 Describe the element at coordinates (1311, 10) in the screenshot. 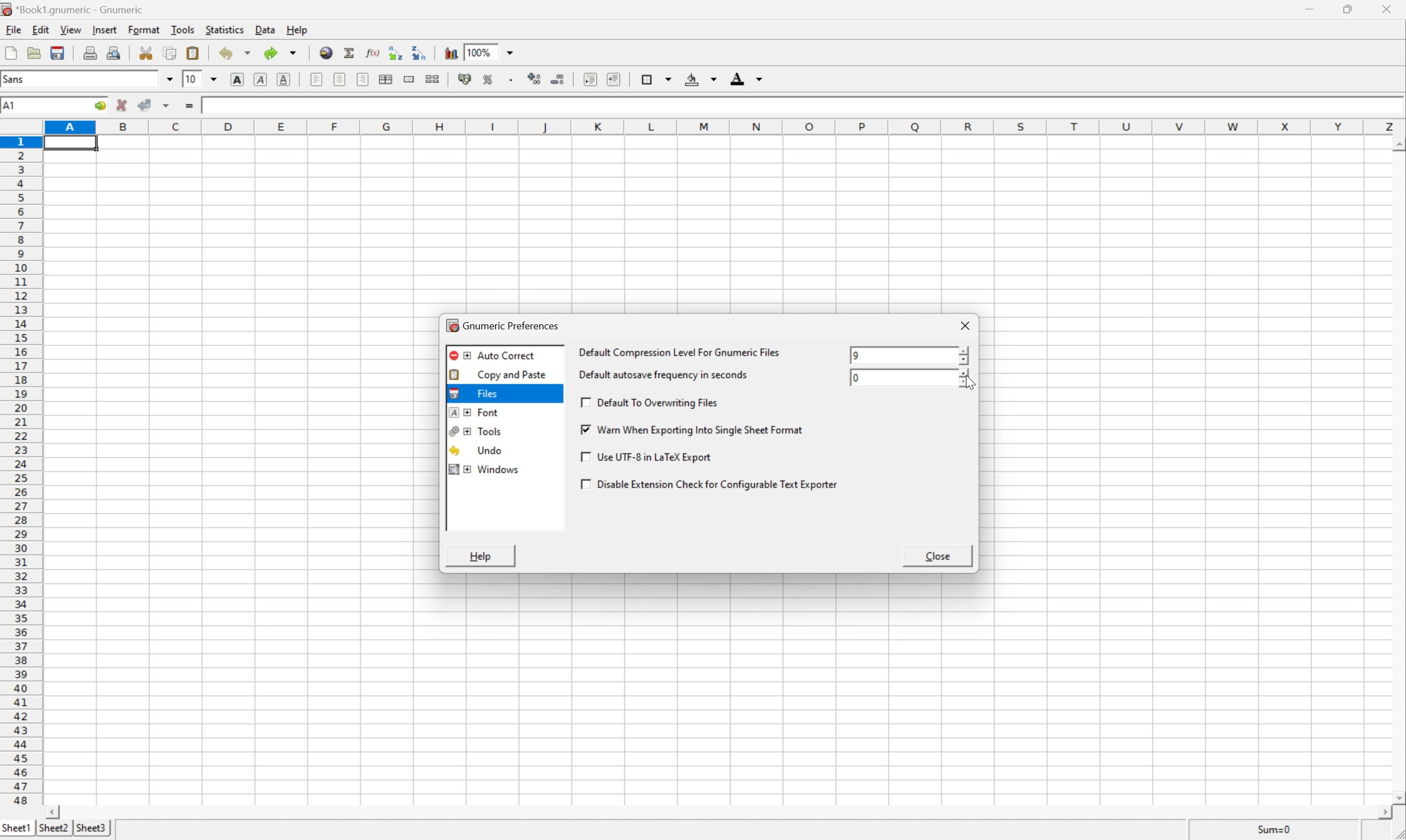

I see `minimize` at that location.